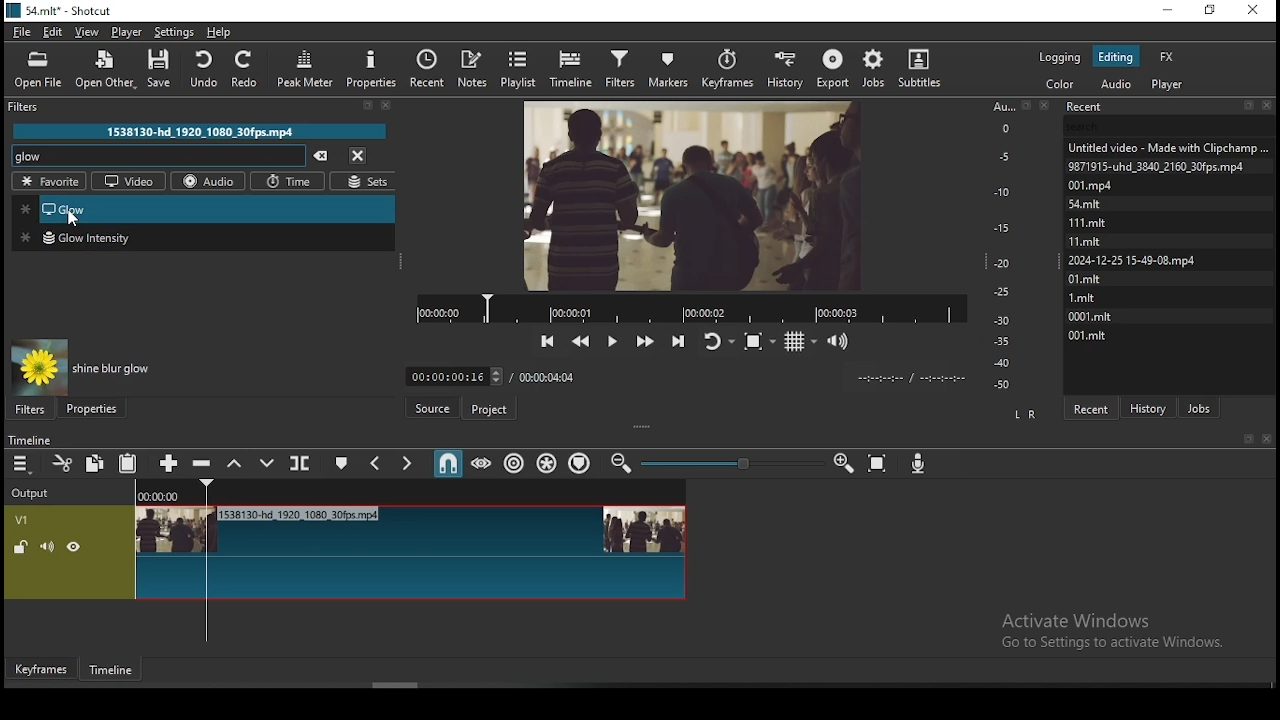  What do you see at coordinates (1022, 413) in the screenshot?
I see `L R` at bounding box center [1022, 413].